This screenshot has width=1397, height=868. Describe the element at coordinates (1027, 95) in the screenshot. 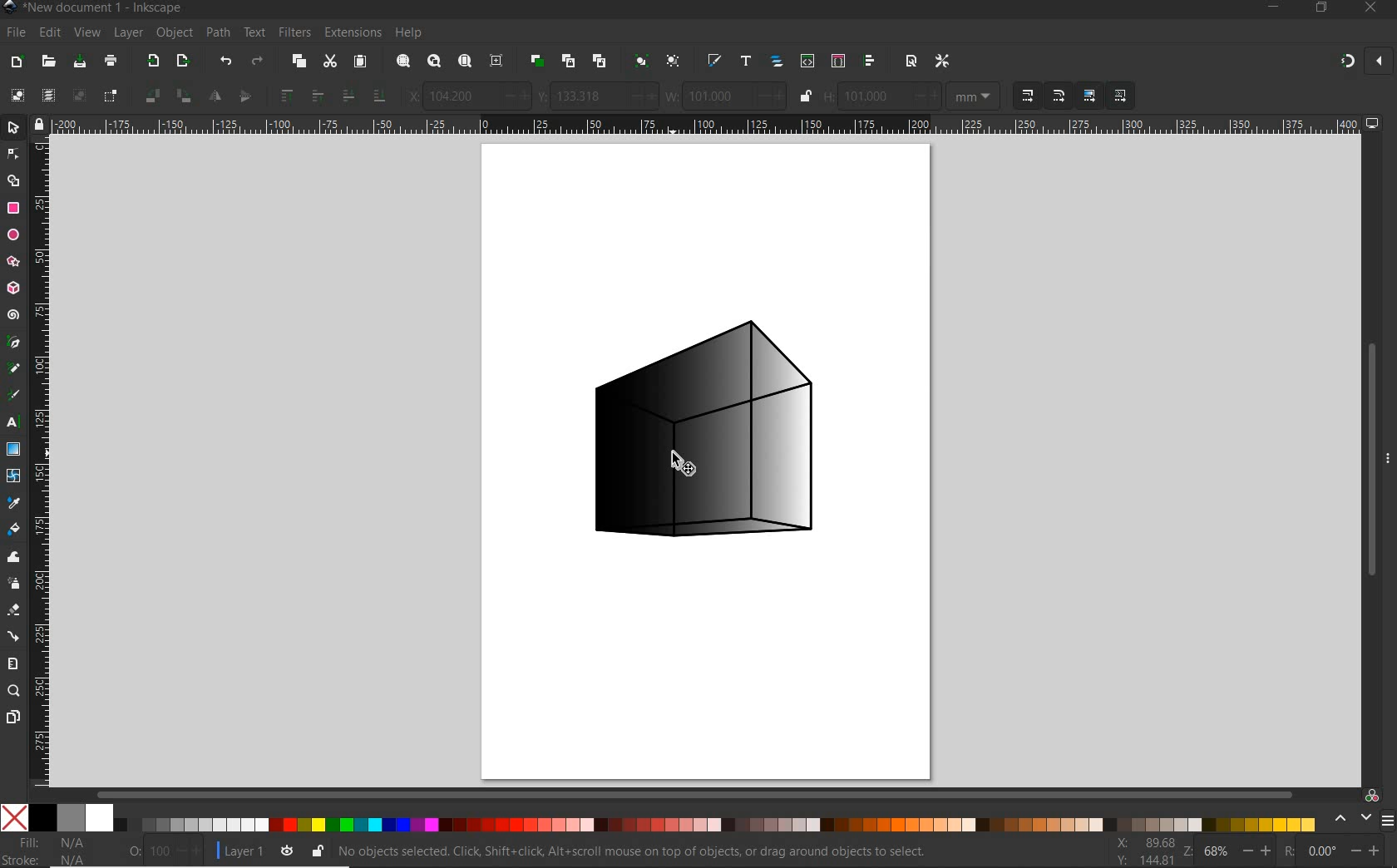

I see `SCALING` at that location.